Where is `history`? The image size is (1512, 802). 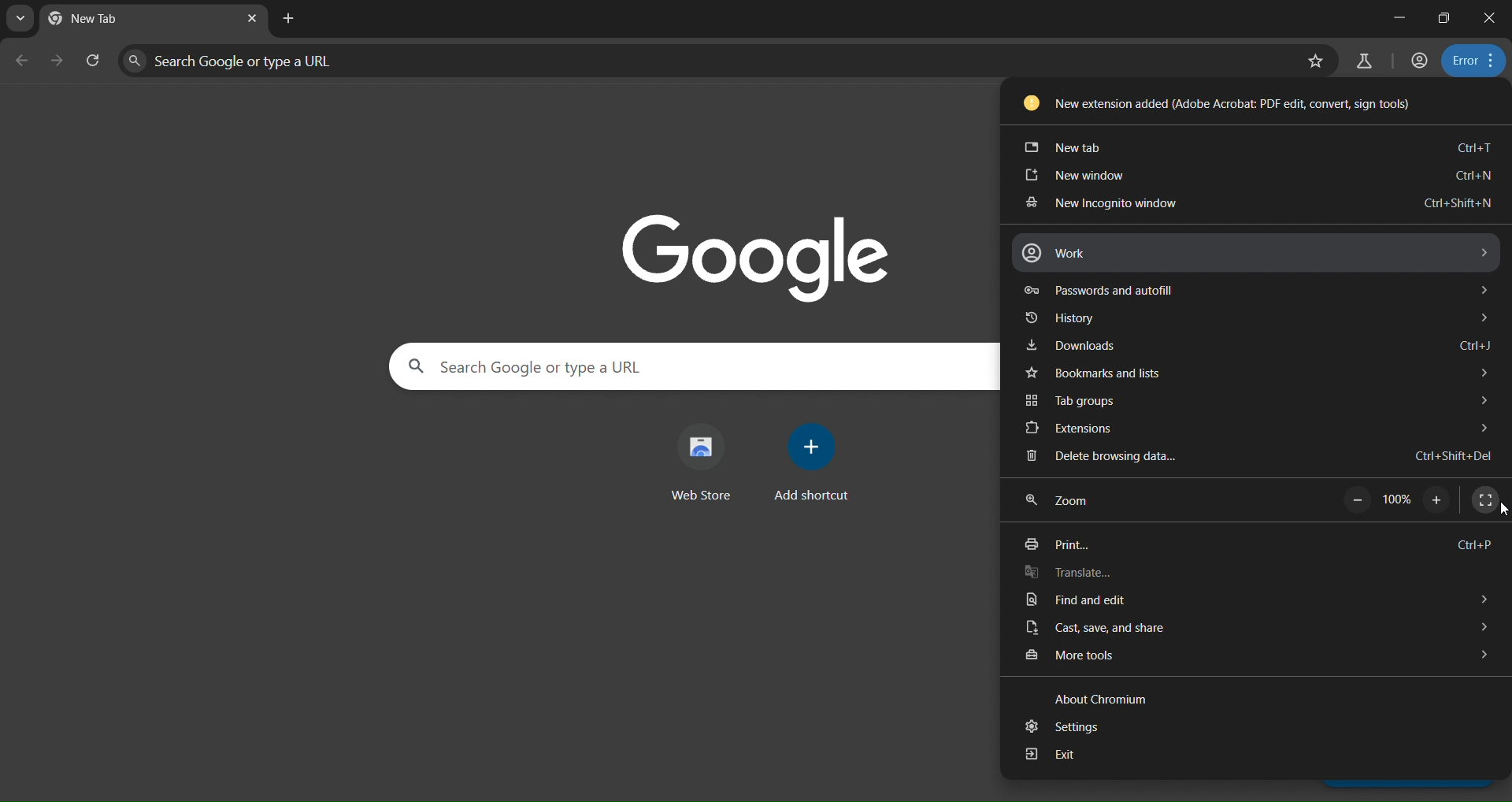 history is located at coordinates (1257, 316).